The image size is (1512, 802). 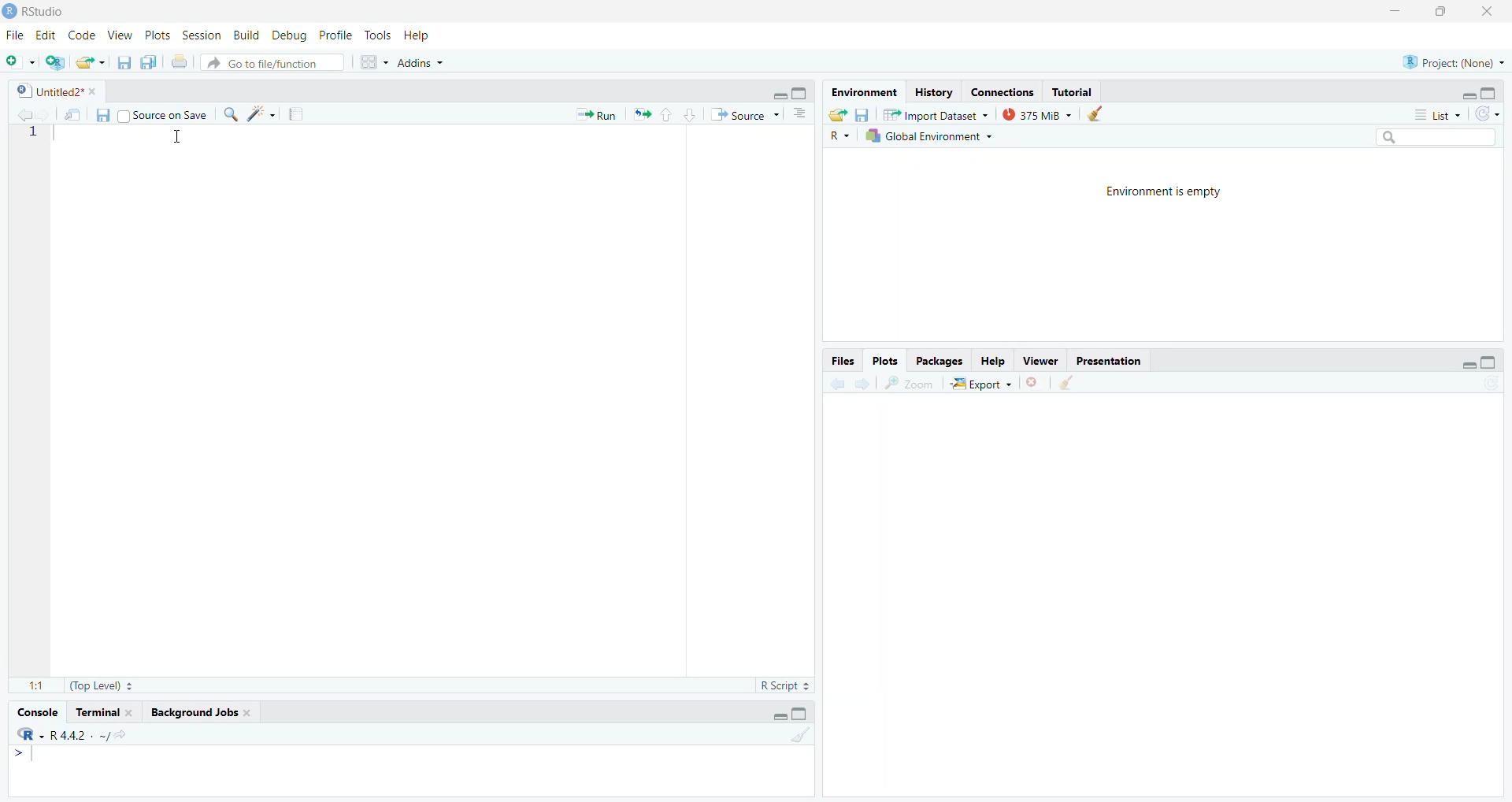 What do you see at coordinates (20, 114) in the screenshot?
I see `go back to the previous source location` at bounding box center [20, 114].